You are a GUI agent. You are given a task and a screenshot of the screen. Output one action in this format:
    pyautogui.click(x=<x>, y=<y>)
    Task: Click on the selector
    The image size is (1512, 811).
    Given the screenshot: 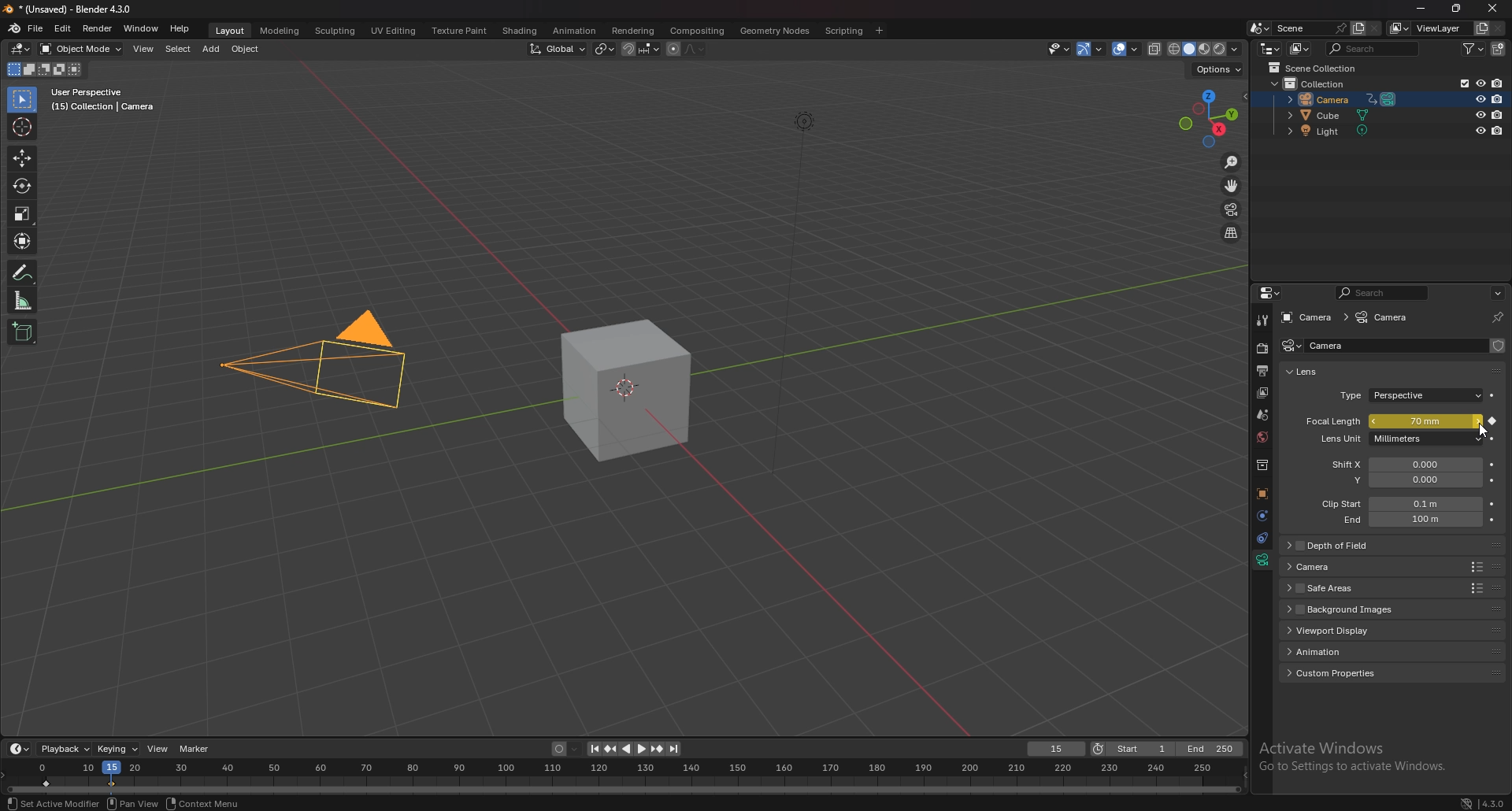 What is the action you would take?
    pyautogui.click(x=22, y=100)
    